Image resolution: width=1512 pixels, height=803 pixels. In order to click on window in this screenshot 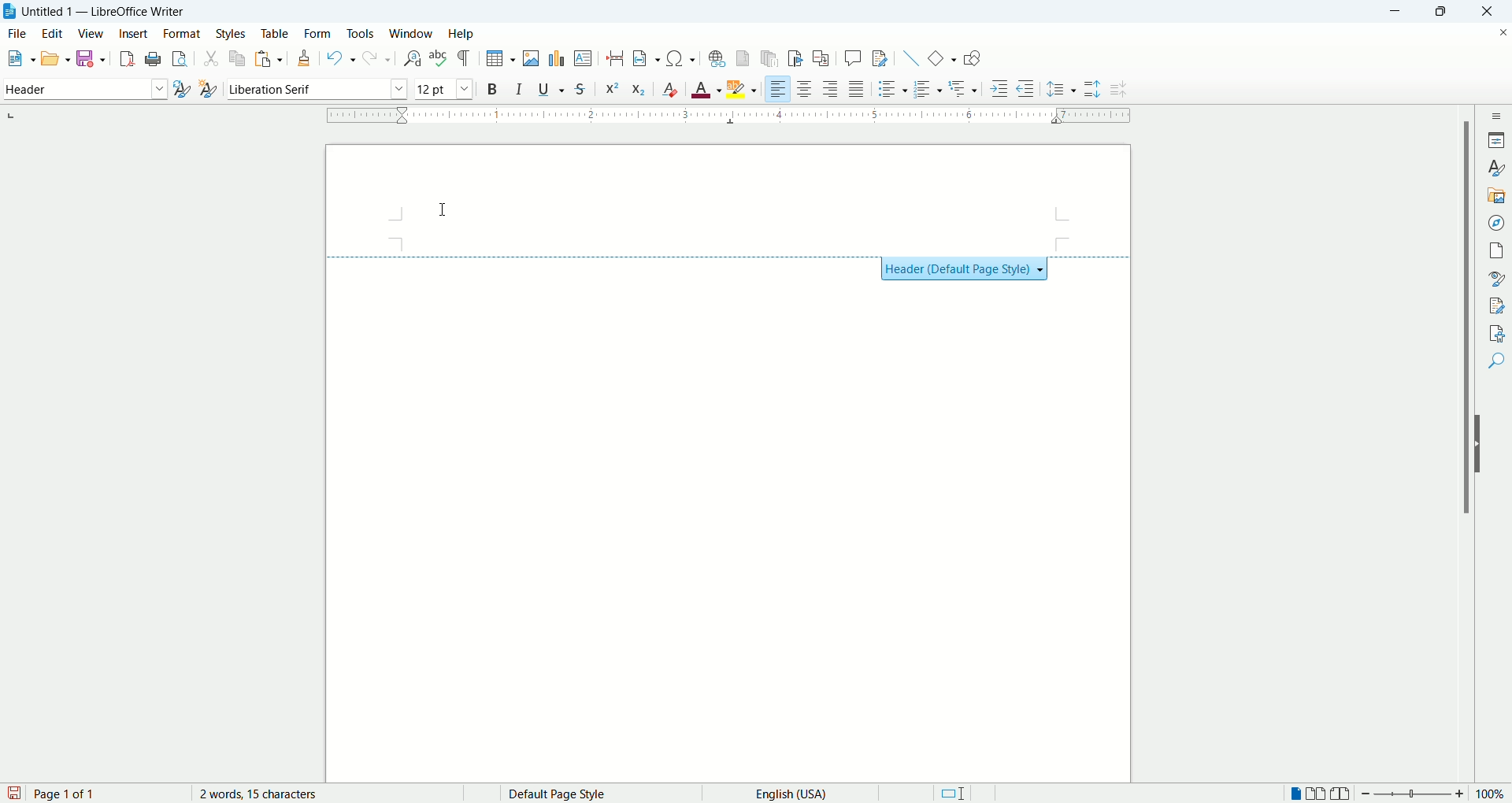, I will do `click(412, 34)`.